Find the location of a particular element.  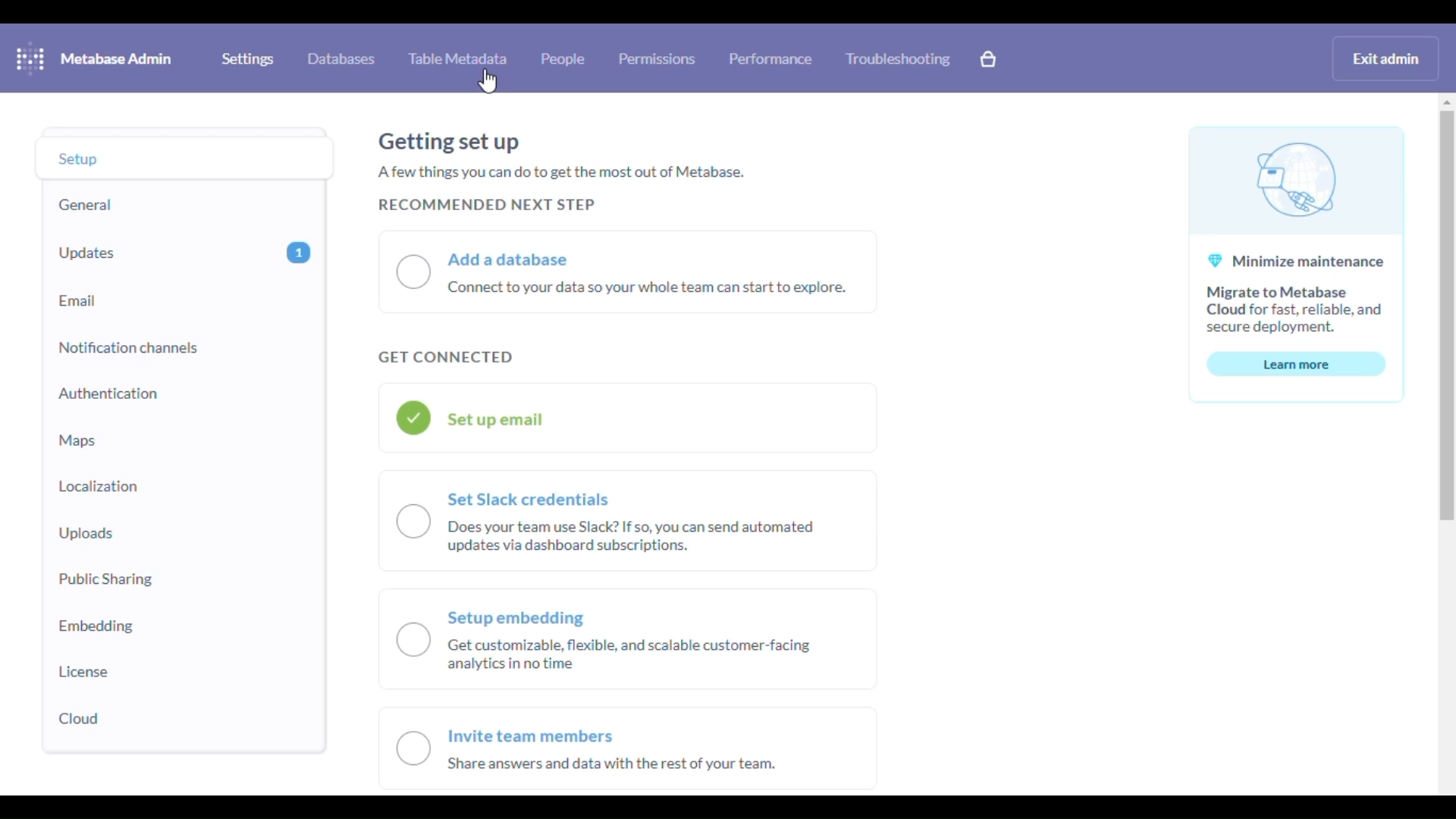

permissions is located at coordinates (658, 58).